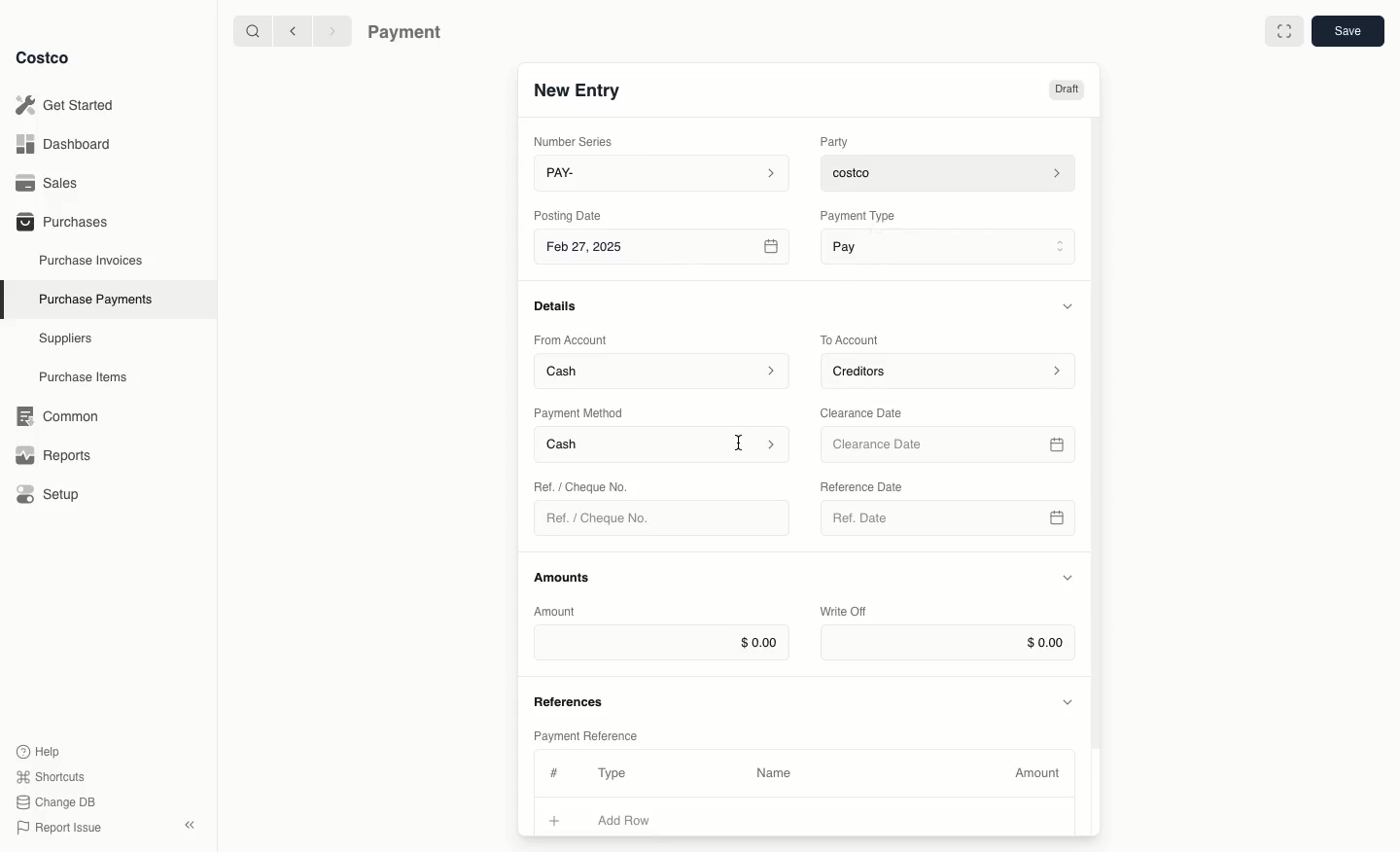 The width and height of the screenshot is (1400, 852). Describe the element at coordinates (951, 245) in the screenshot. I see `Pay` at that location.